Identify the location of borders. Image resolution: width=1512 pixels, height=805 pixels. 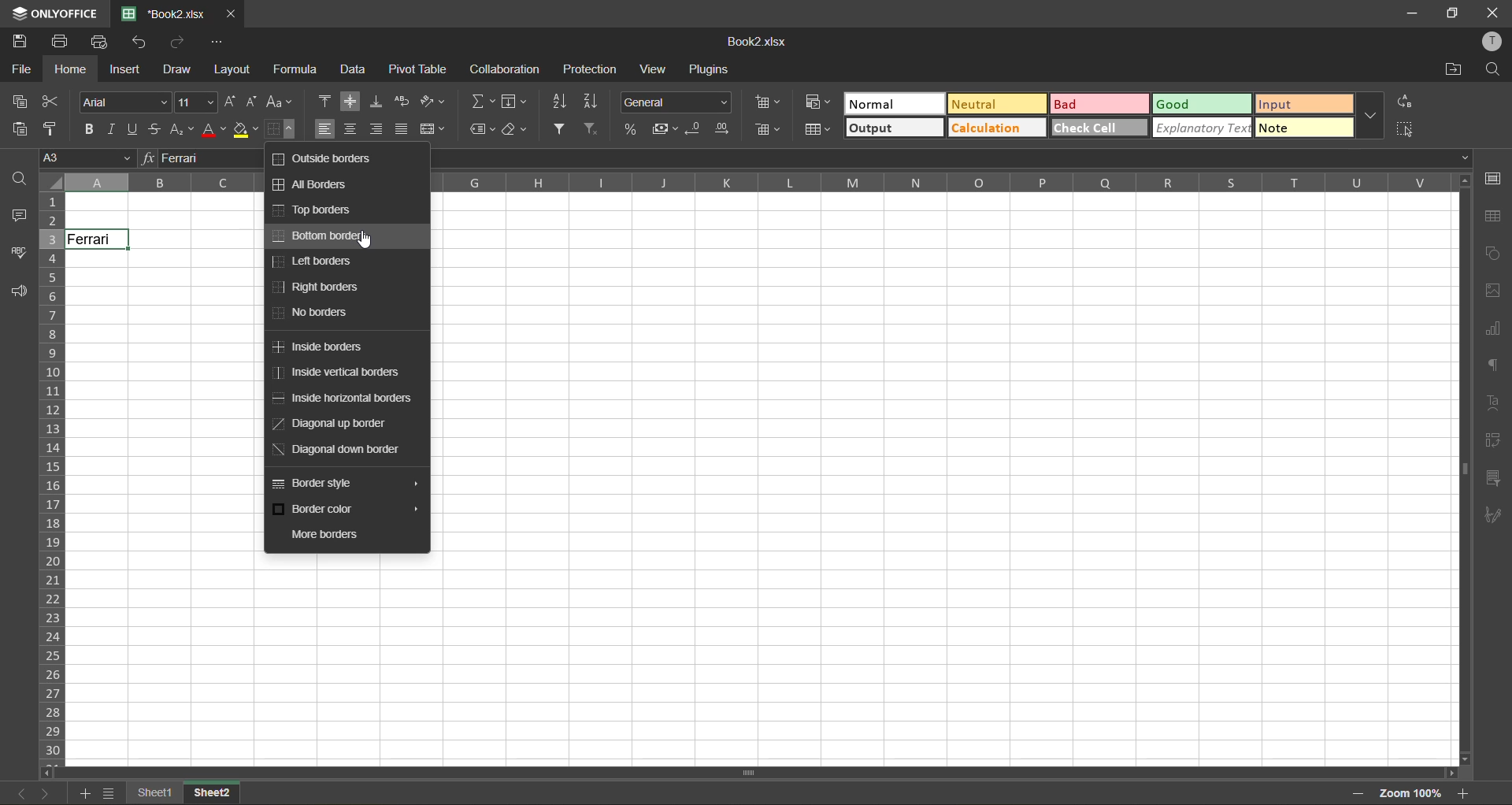
(281, 128).